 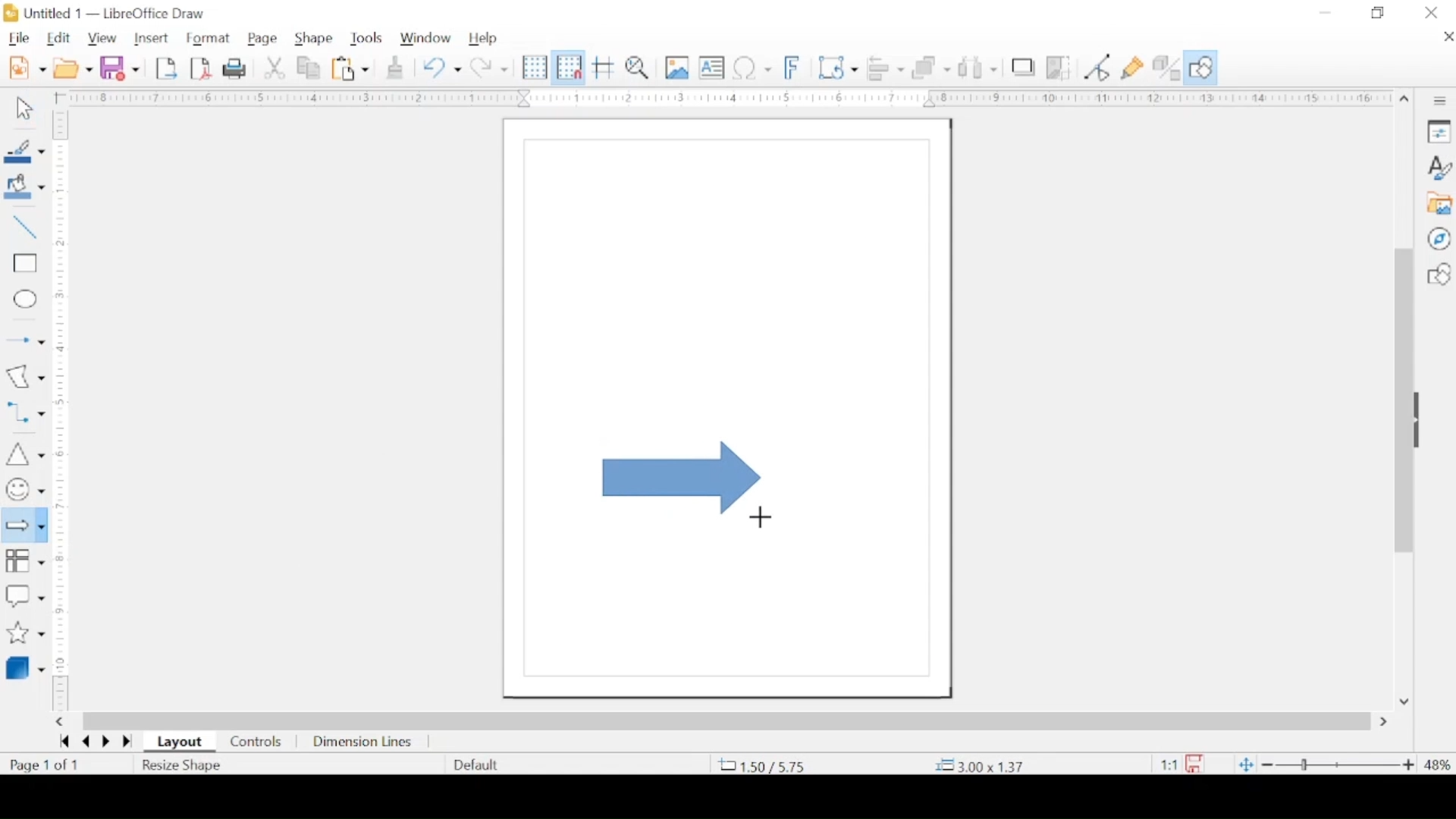 What do you see at coordinates (64, 325) in the screenshot?
I see `margin` at bounding box center [64, 325].